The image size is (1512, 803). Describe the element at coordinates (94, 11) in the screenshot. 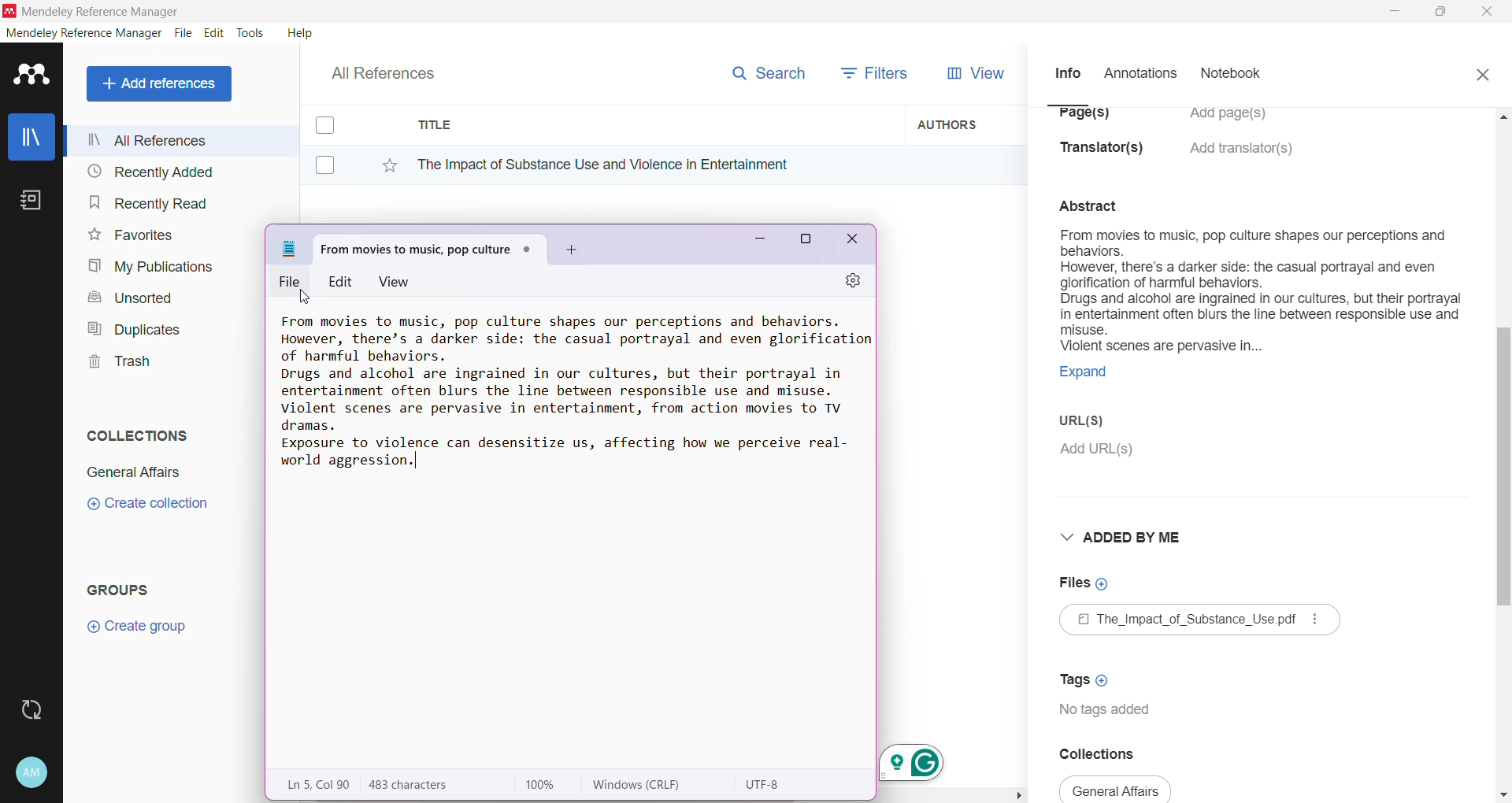

I see `Application Name` at that location.